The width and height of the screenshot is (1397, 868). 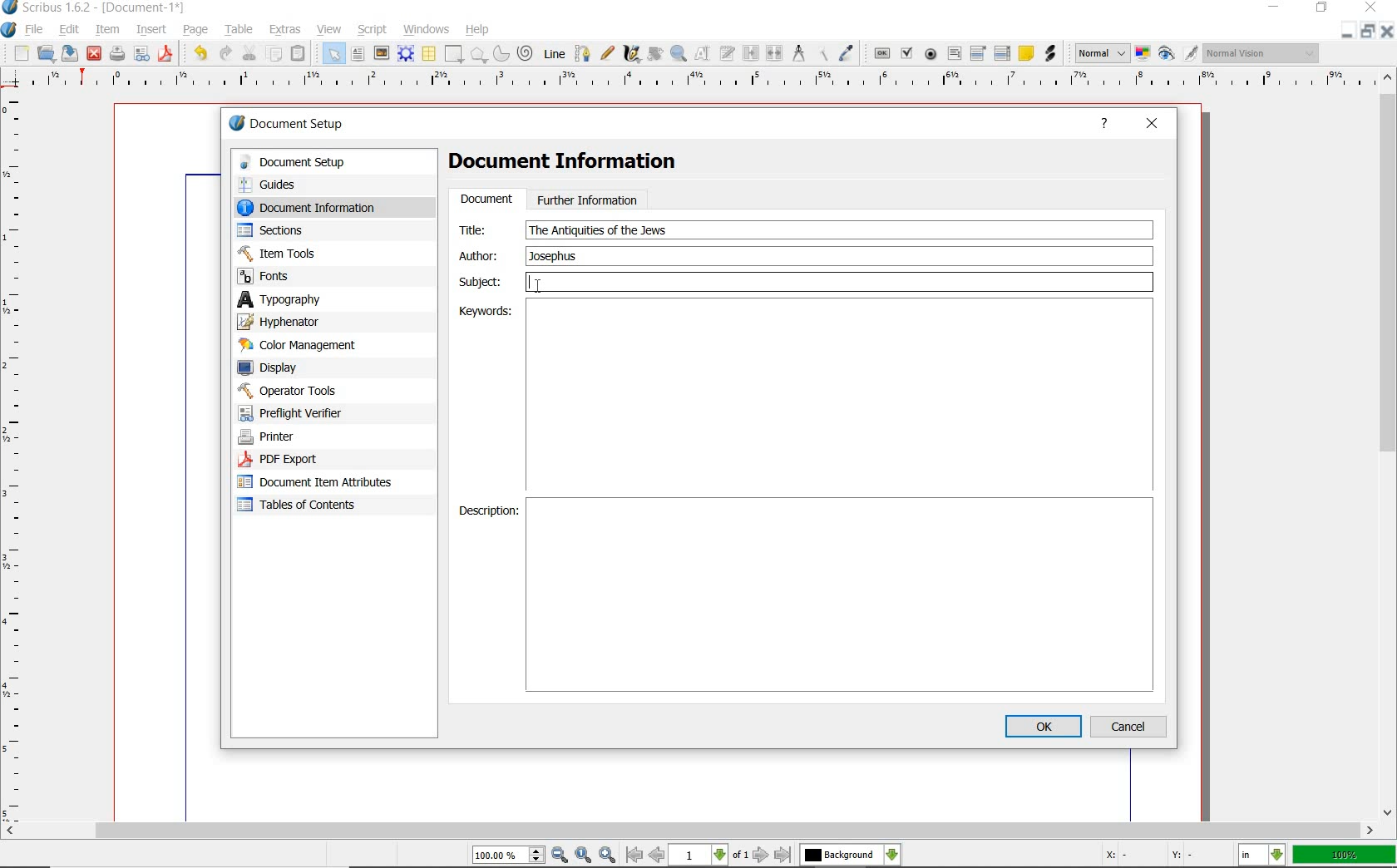 What do you see at coordinates (881, 53) in the screenshot?
I see `pdf push button` at bounding box center [881, 53].